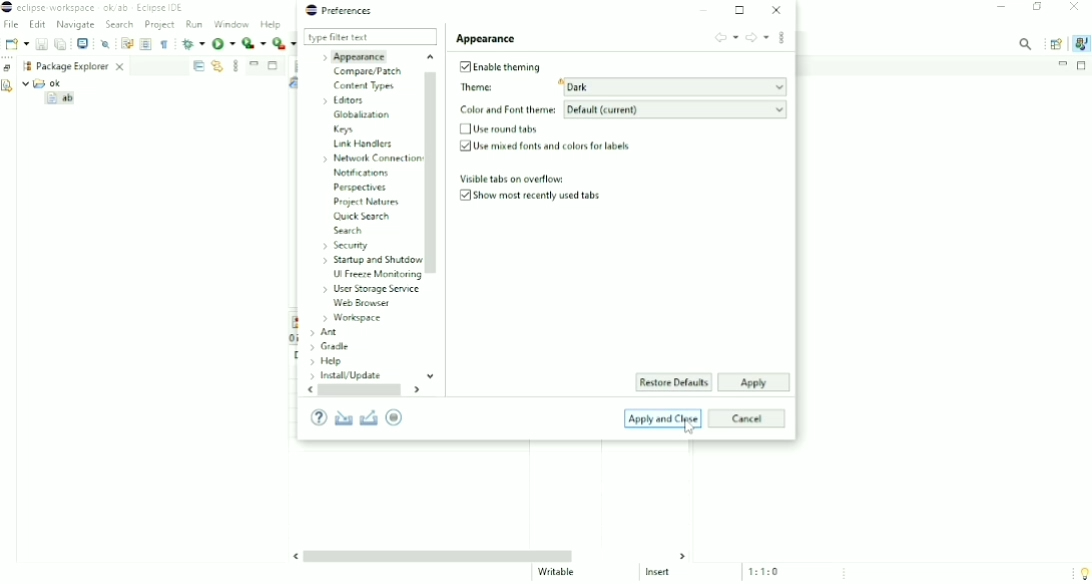 This screenshot has height=584, width=1092. What do you see at coordinates (363, 187) in the screenshot?
I see `Perspectives` at bounding box center [363, 187].